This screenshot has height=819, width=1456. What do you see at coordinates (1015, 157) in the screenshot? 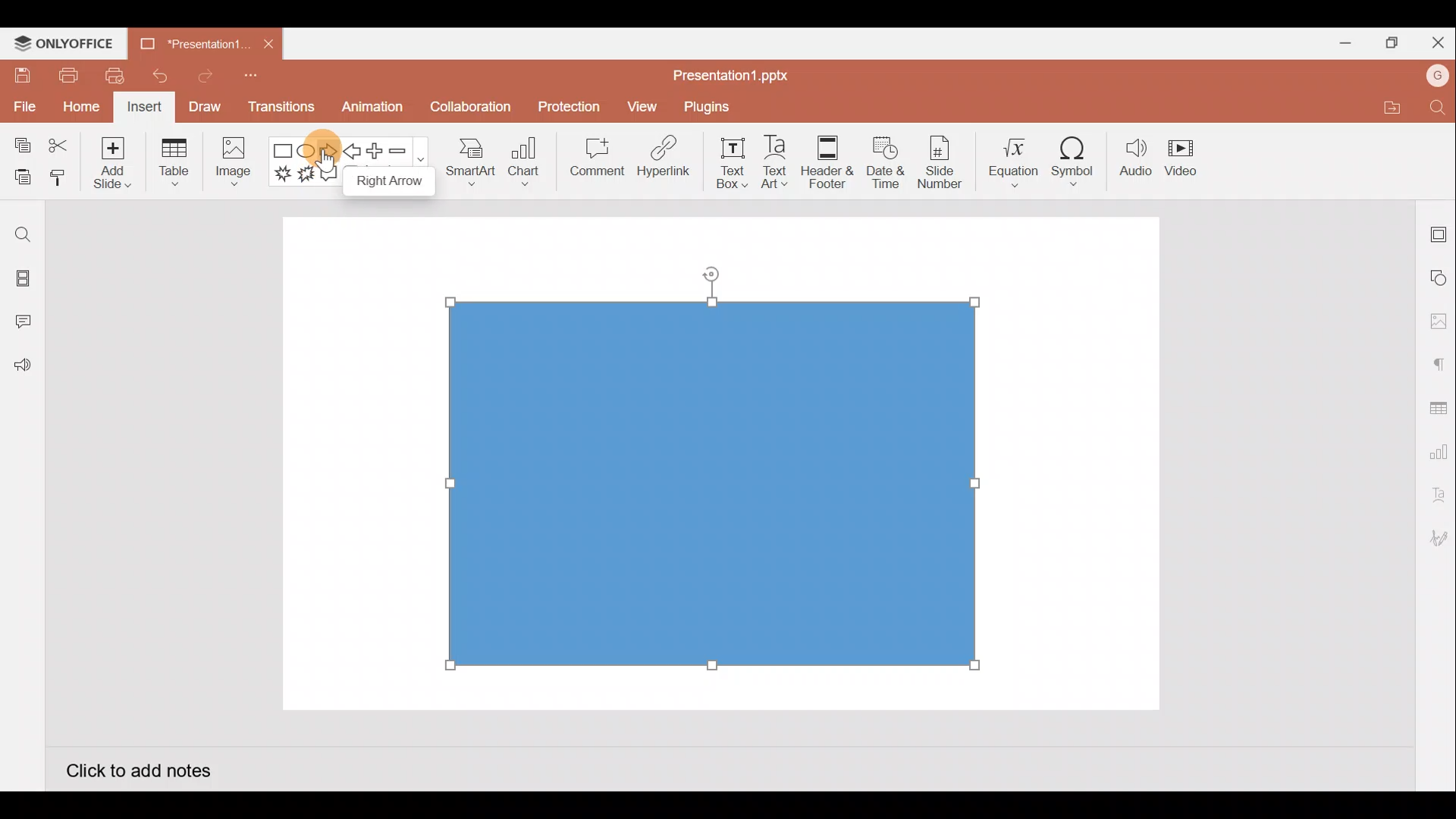
I see `Equation` at bounding box center [1015, 157].